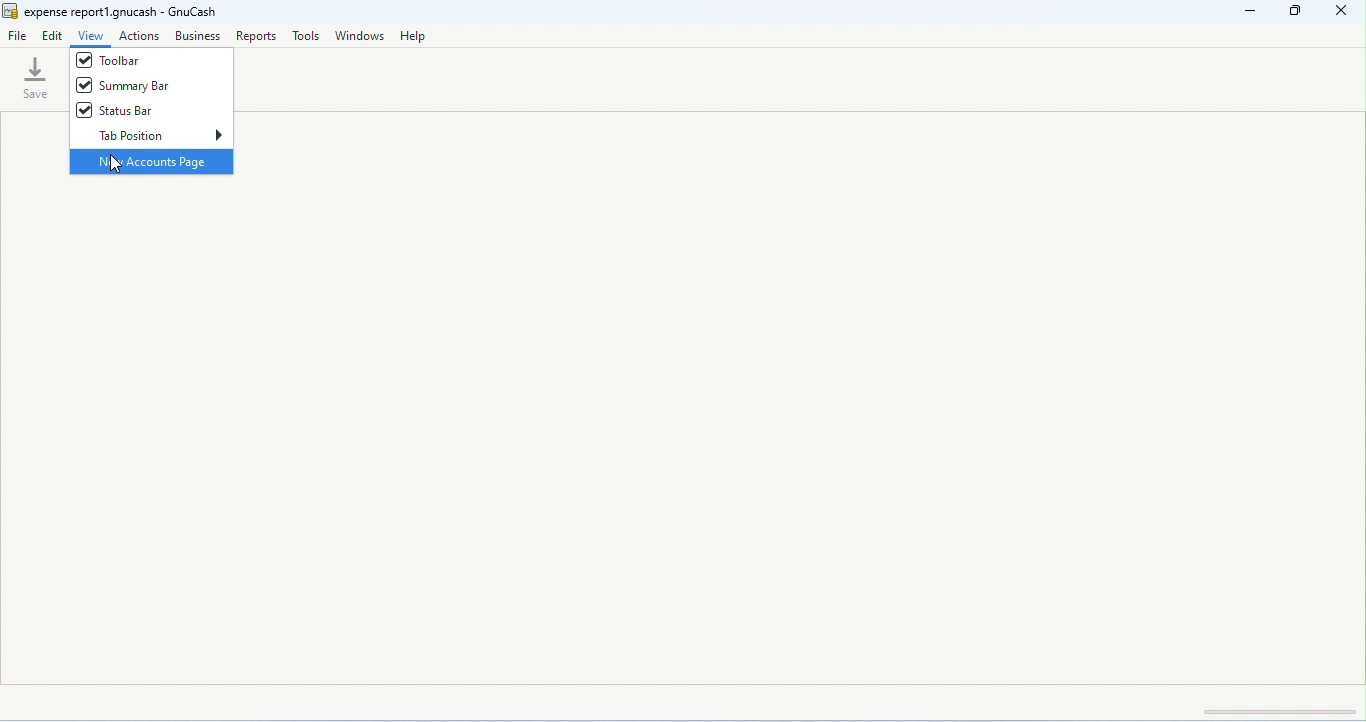  What do you see at coordinates (10, 12) in the screenshot?
I see `icon` at bounding box center [10, 12].